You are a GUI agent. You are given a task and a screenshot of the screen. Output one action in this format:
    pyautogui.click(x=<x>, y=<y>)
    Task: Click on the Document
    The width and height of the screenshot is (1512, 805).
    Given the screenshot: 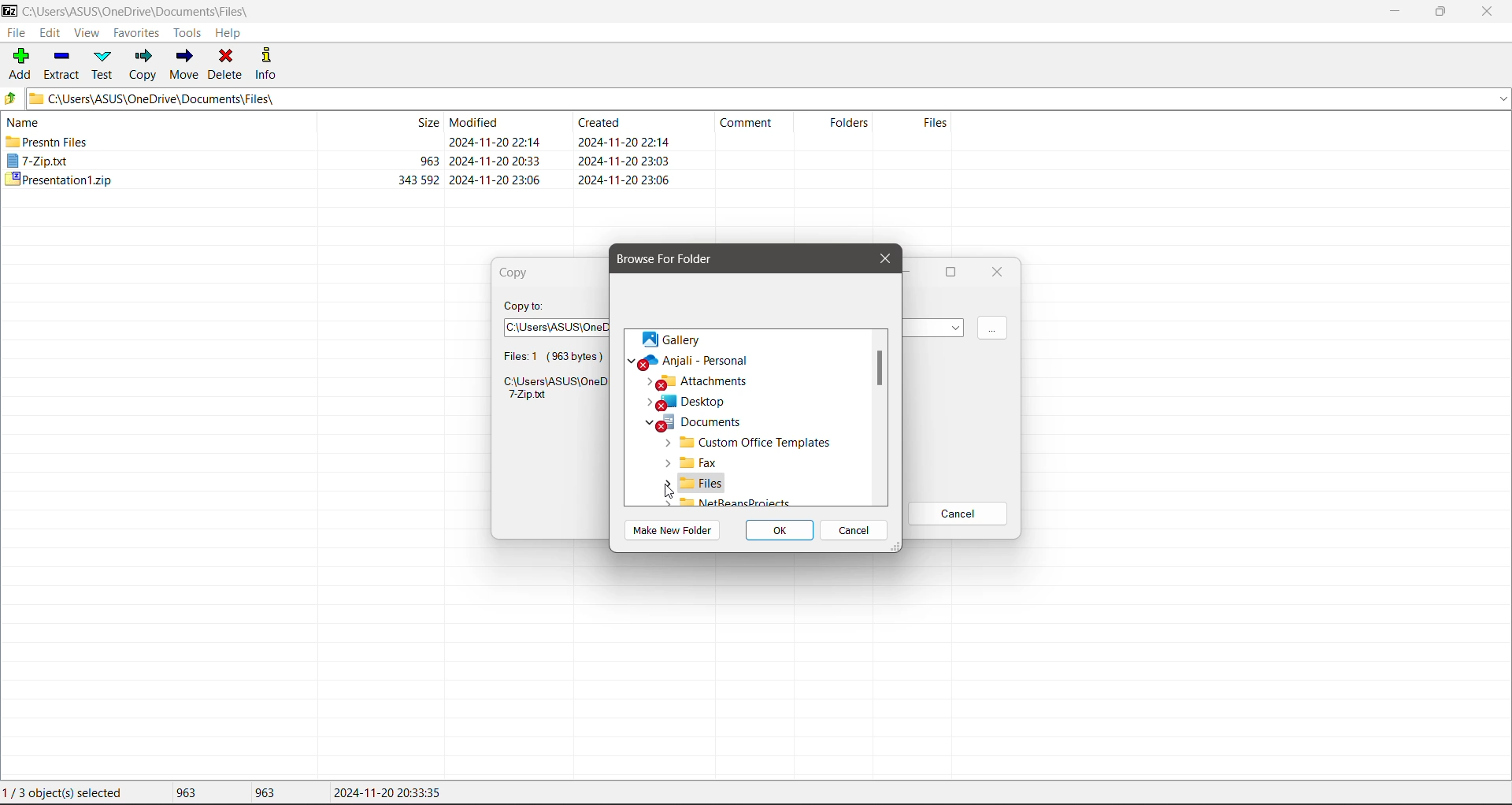 What is the action you would take?
    pyautogui.click(x=695, y=422)
    